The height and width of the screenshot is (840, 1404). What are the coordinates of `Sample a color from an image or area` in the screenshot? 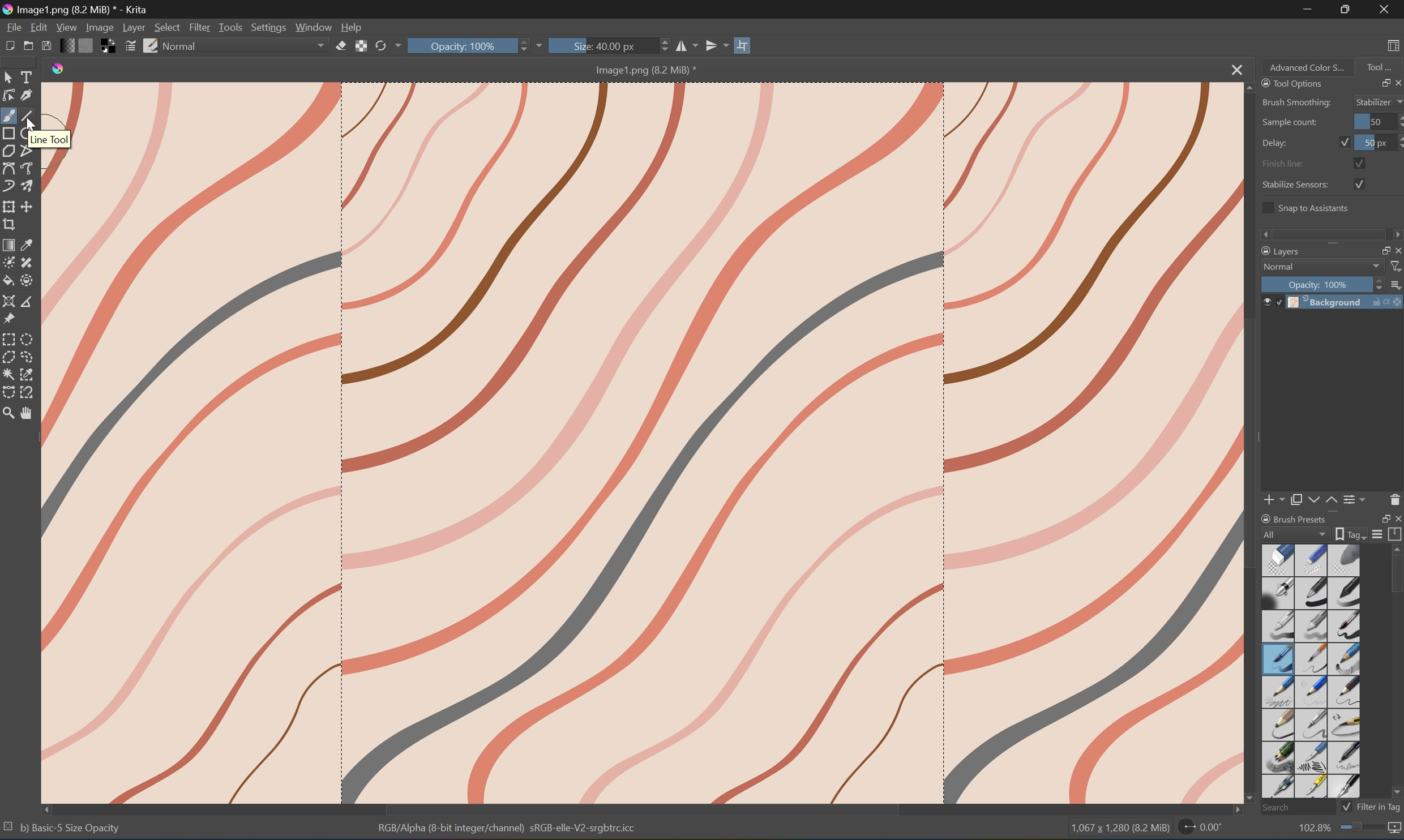 It's located at (28, 243).